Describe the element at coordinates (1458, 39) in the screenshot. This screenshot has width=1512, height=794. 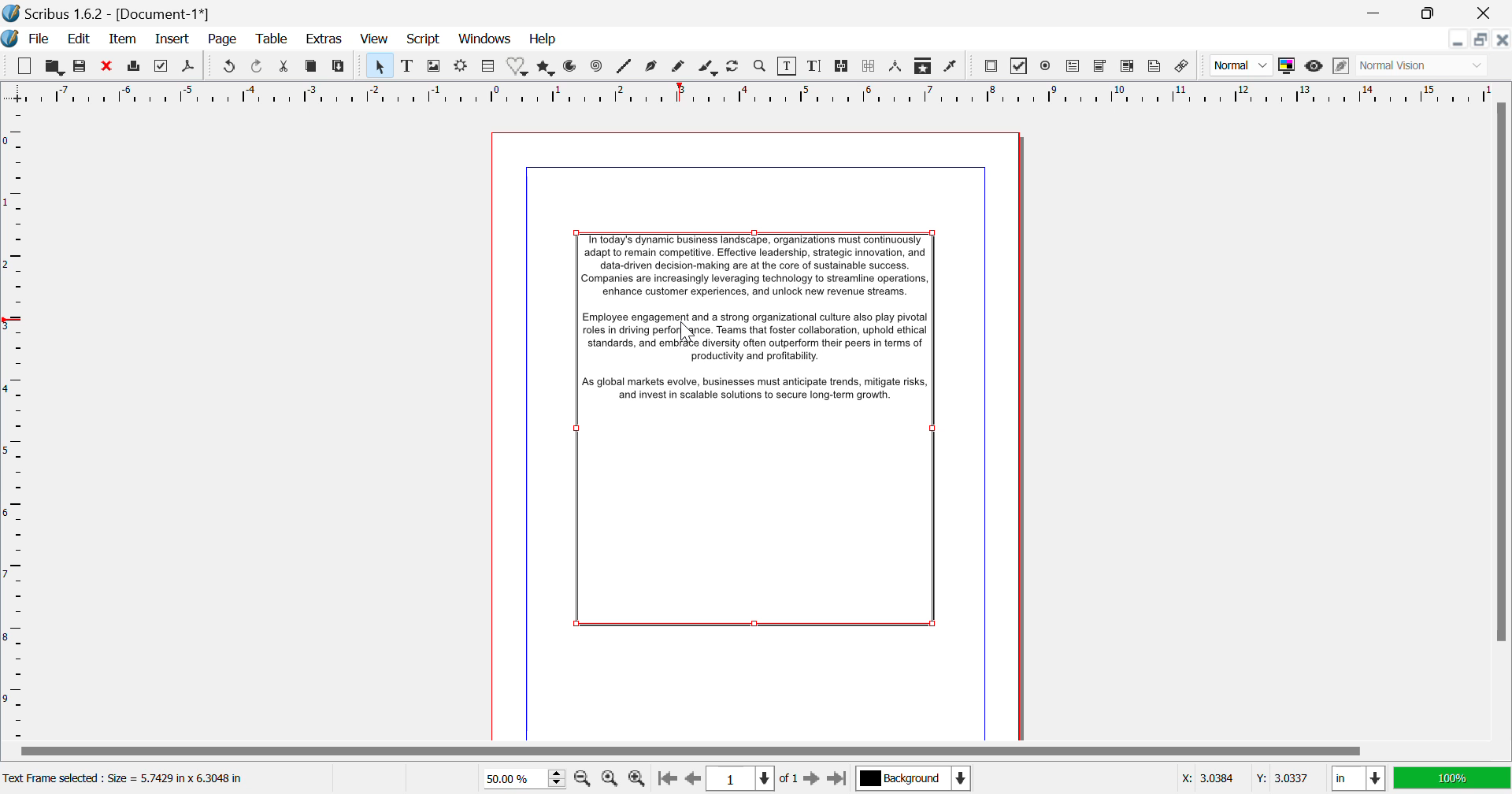
I see `Restore Down` at that location.